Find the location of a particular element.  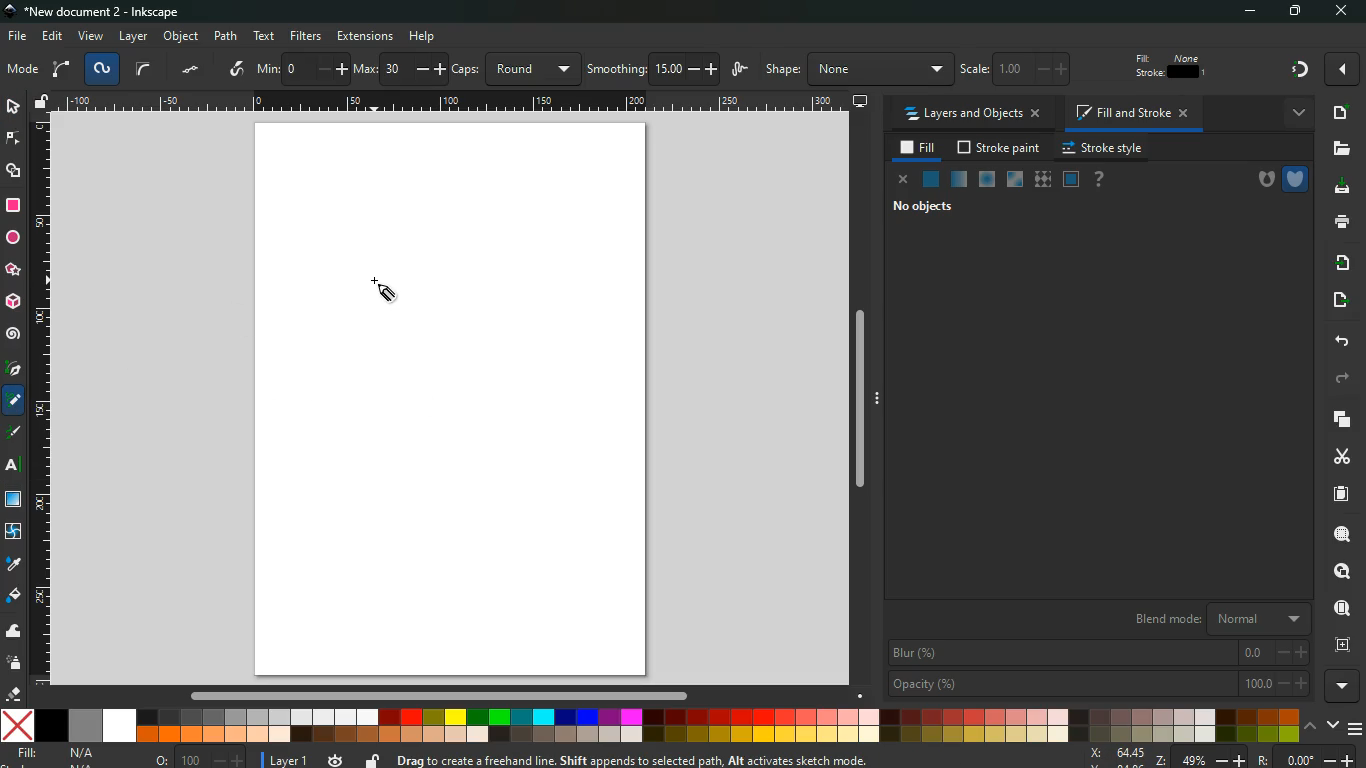

 is located at coordinates (435, 696).